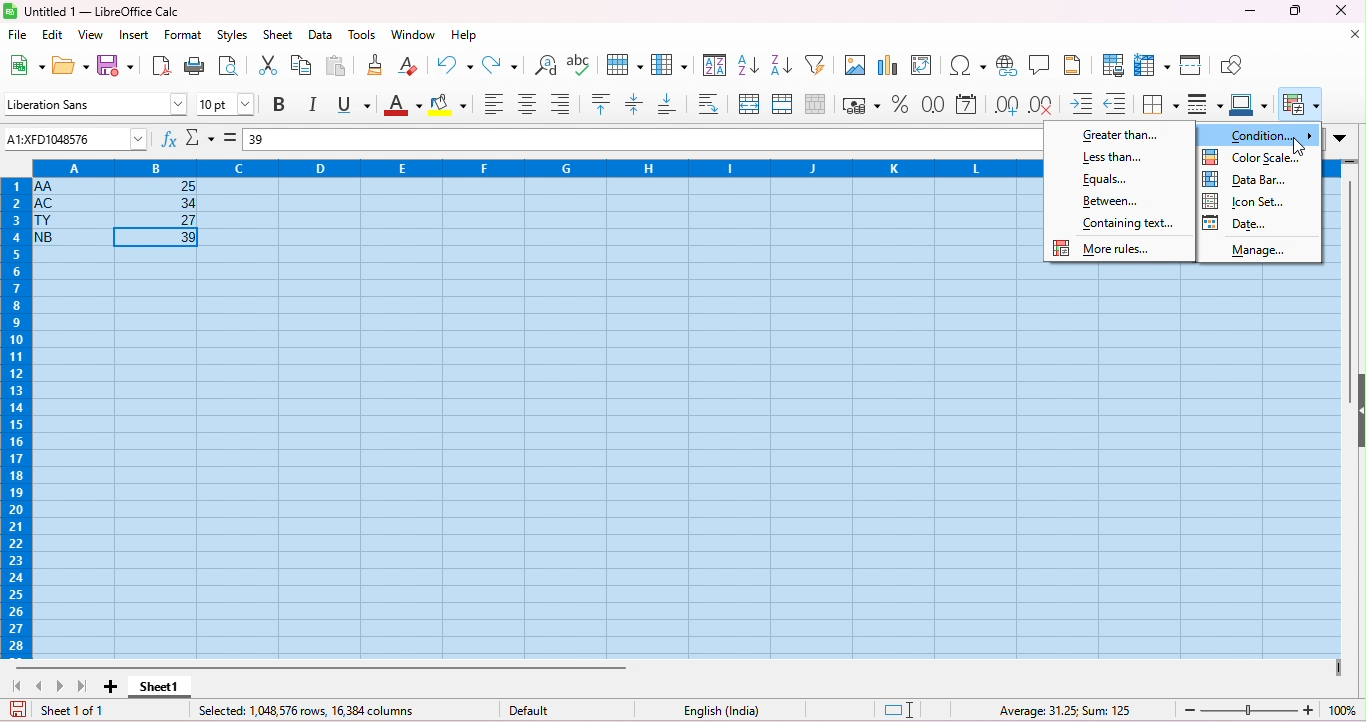 The height and width of the screenshot is (722, 1366). Describe the element at coordinates (258, 140) in the screenshot. I see `39` at that location.